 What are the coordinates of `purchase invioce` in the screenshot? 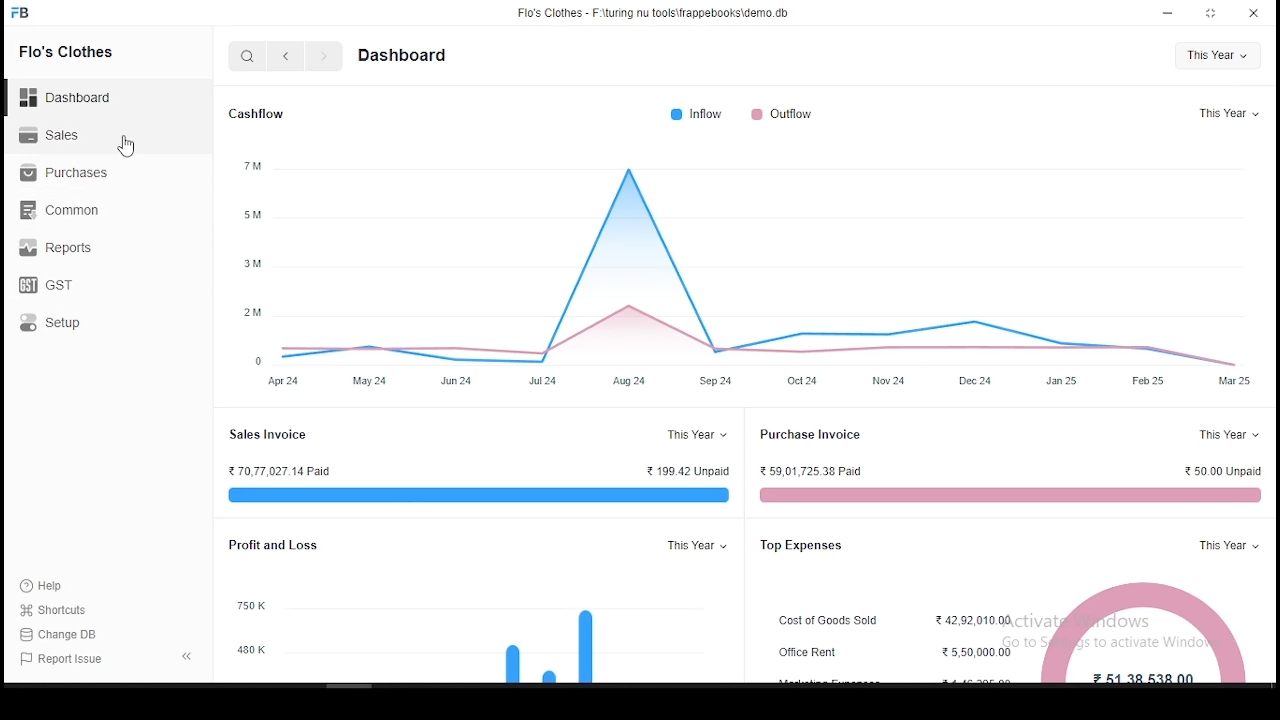 It's located at (815, 436).